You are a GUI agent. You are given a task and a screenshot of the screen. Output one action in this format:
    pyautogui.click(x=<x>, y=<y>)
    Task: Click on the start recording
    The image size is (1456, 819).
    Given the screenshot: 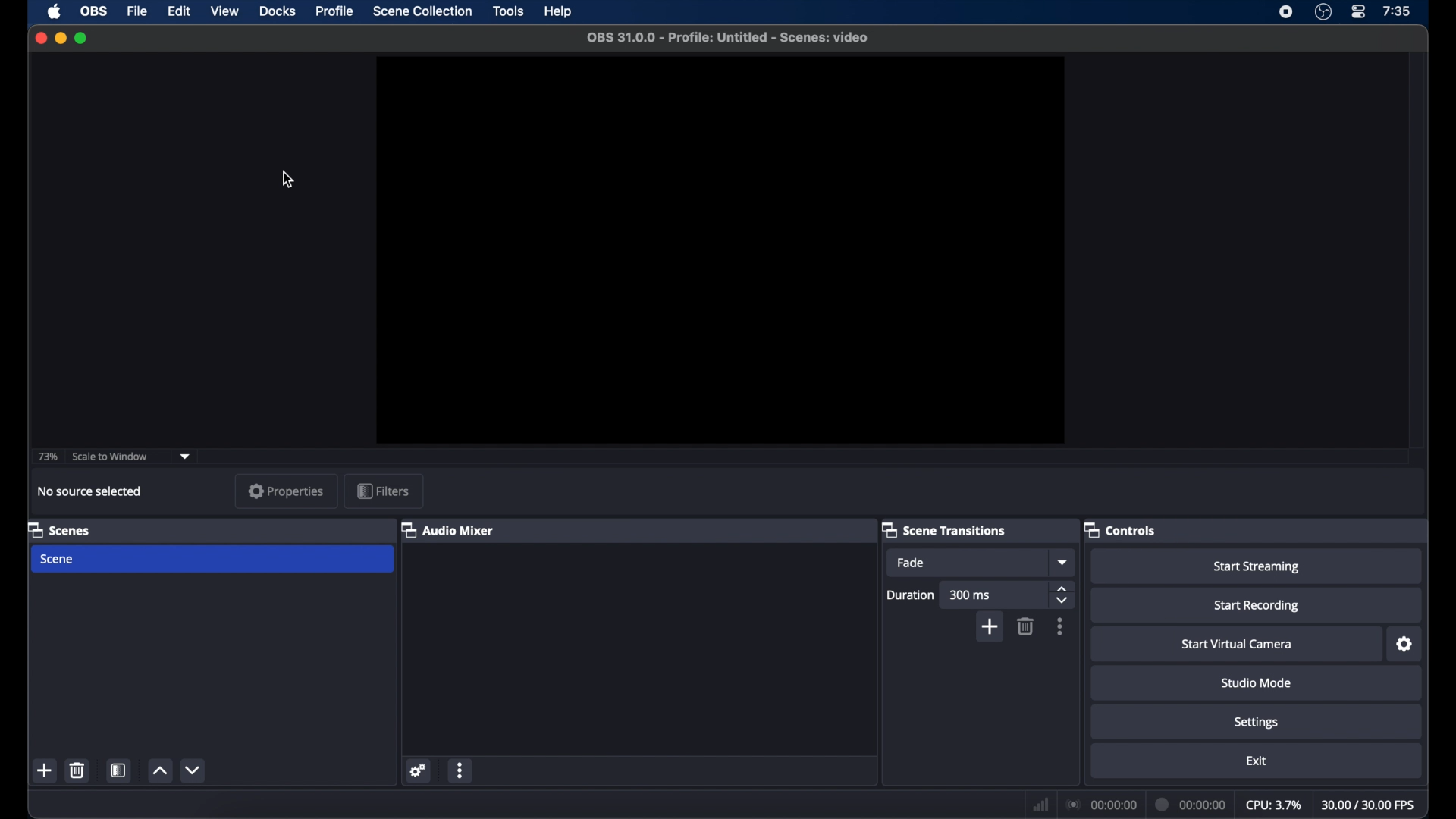 What is the action you would take?
    pyautogui.click(x=1256, y=605)
    